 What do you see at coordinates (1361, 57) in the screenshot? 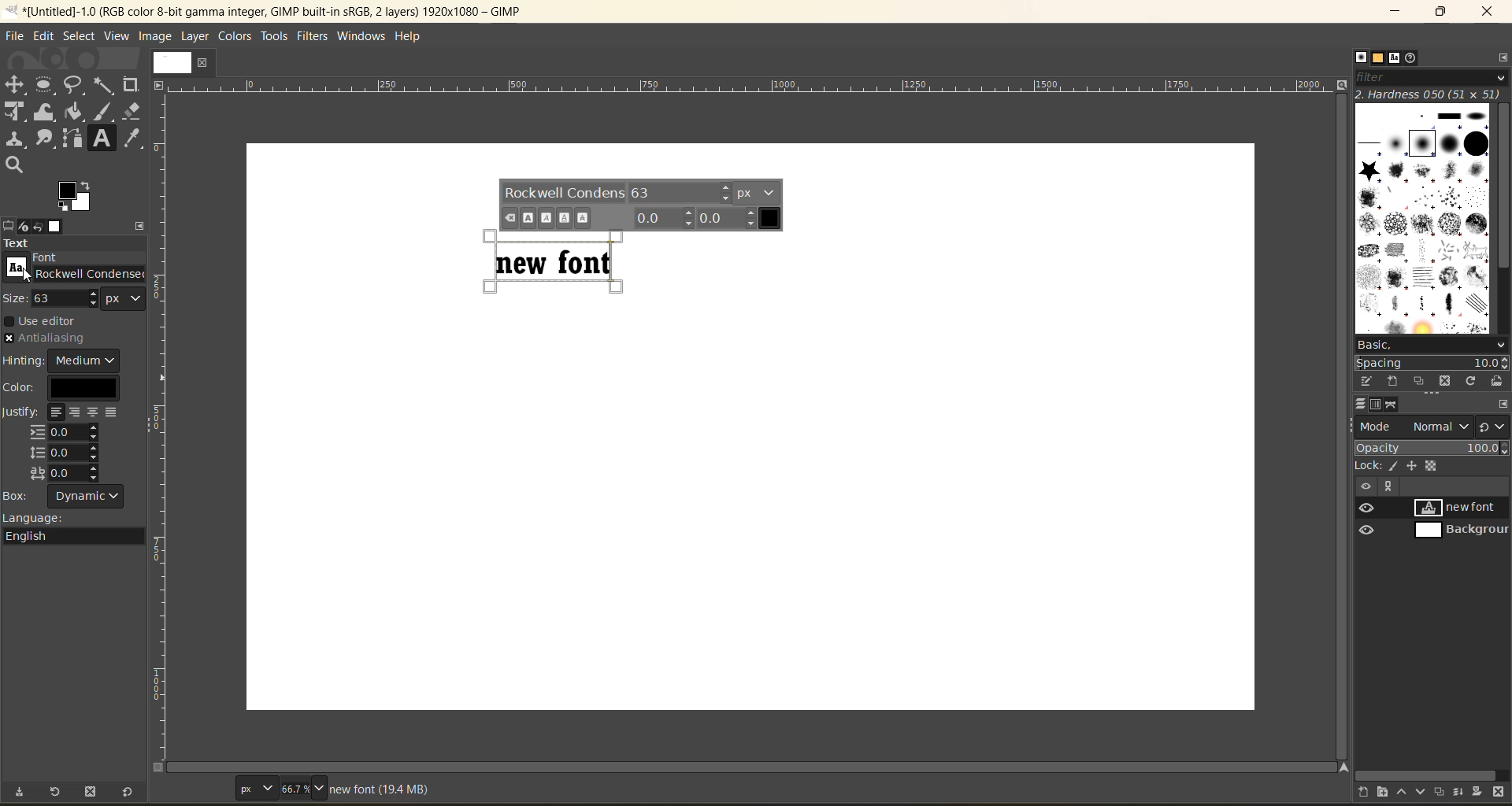
I see `brushes` at bounding box center [1361, 57].